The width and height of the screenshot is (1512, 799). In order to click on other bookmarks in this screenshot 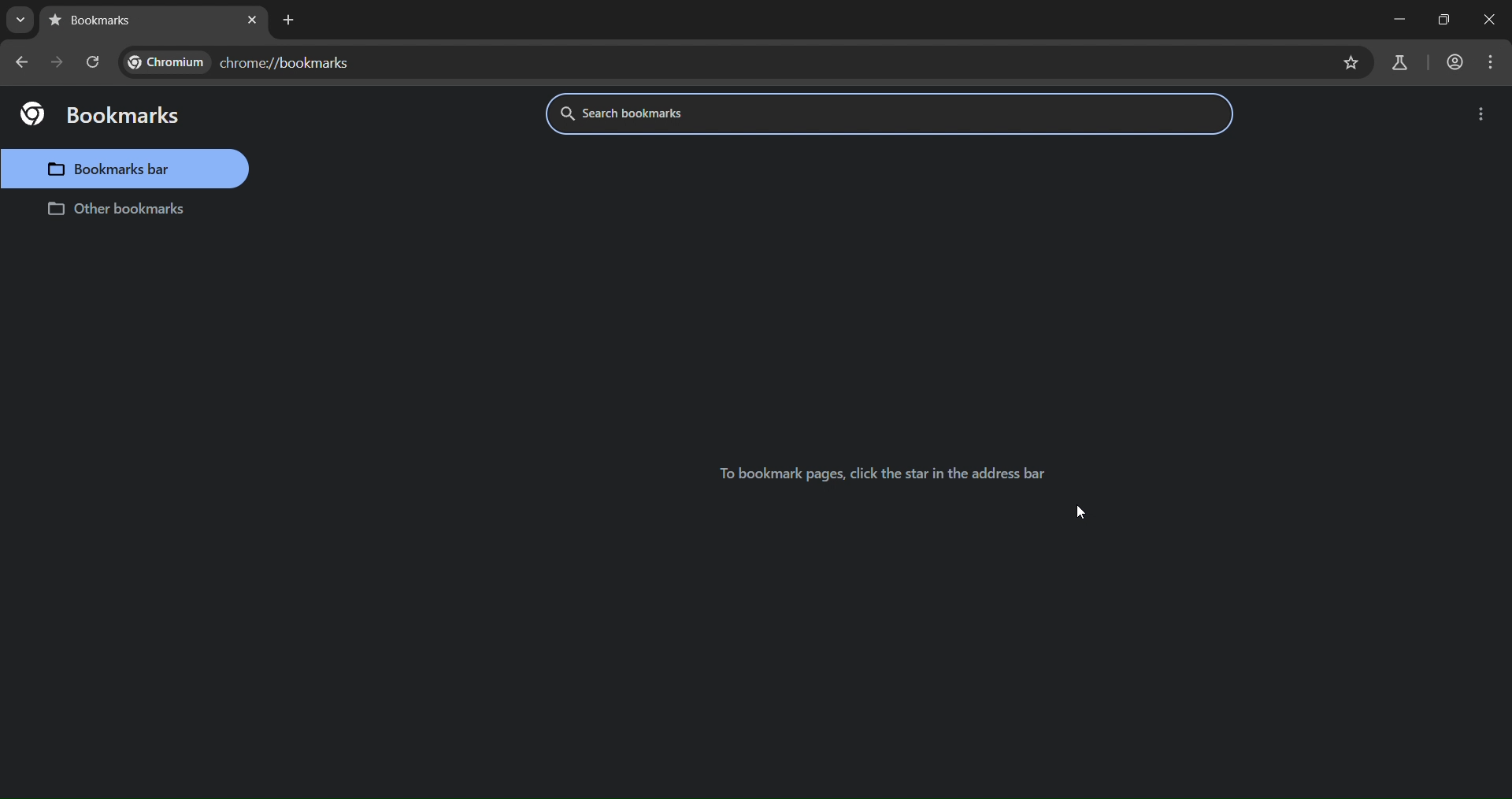, I will do `click(113, 211)`.